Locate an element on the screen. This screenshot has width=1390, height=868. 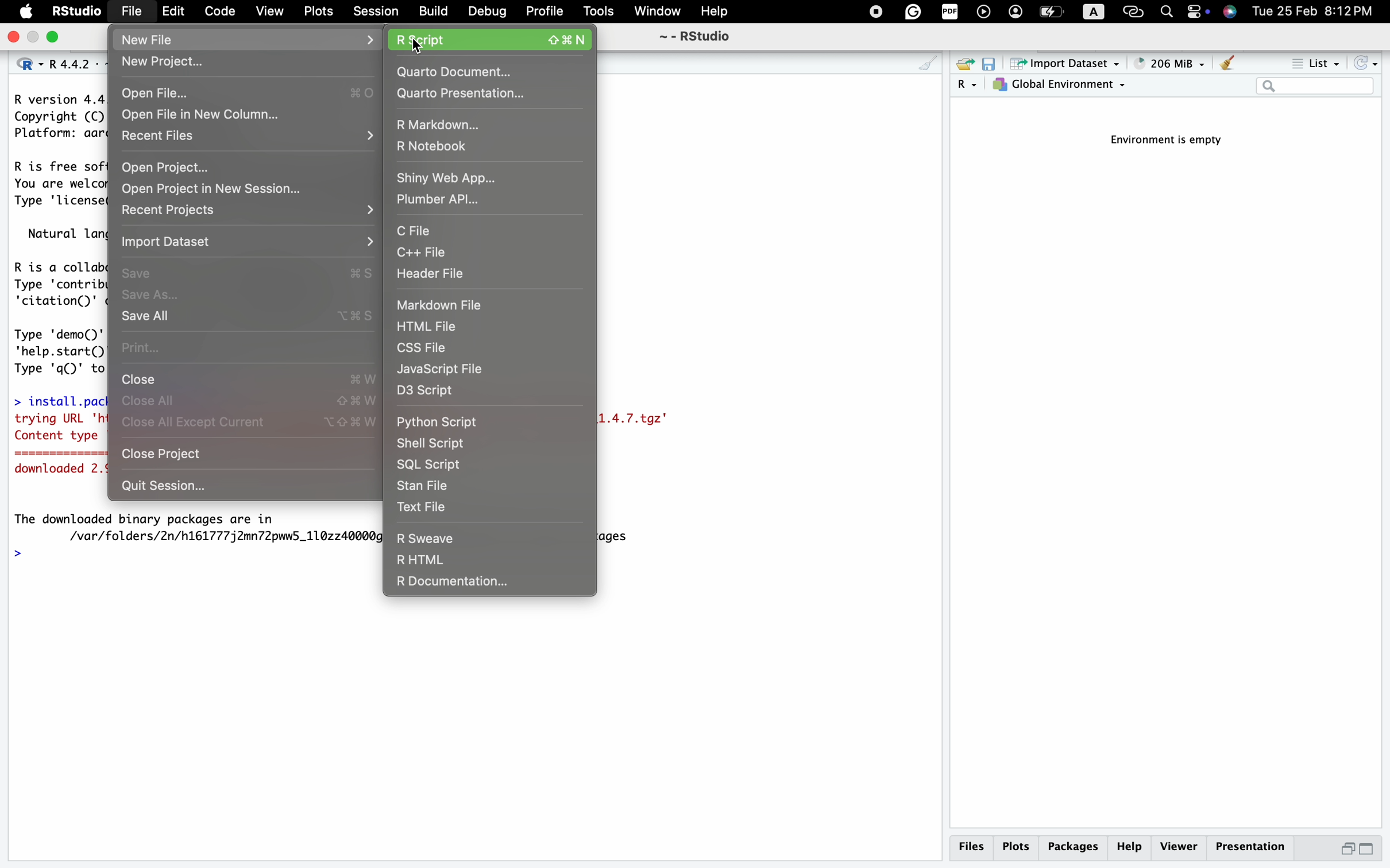
close project is located at coordinates (245, 457).